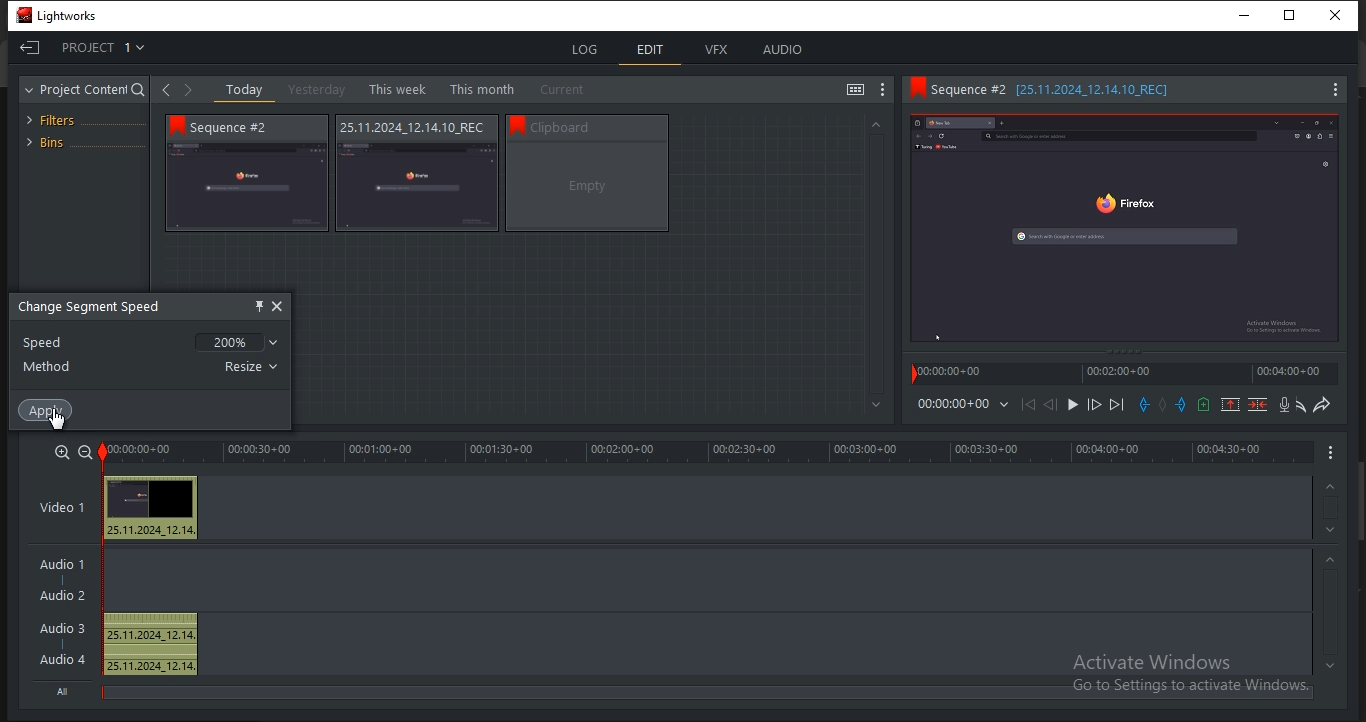 Image resolution: width=1366 pixels, height=722 pixels. What do you see at coordinates (1251, 14) in the screenshot?
I see `minimize` at bounding box center [1251, 14].